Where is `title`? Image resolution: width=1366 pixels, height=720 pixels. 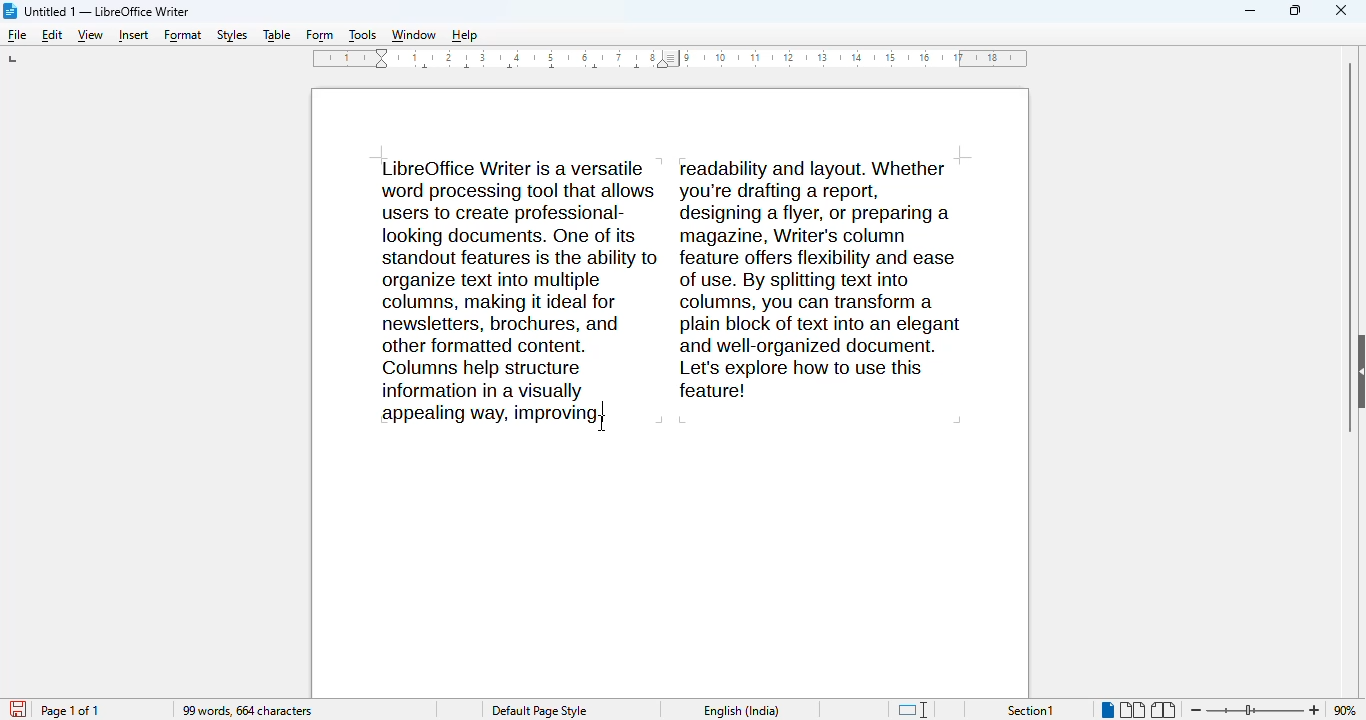 title is located at coordinates (106, 11).